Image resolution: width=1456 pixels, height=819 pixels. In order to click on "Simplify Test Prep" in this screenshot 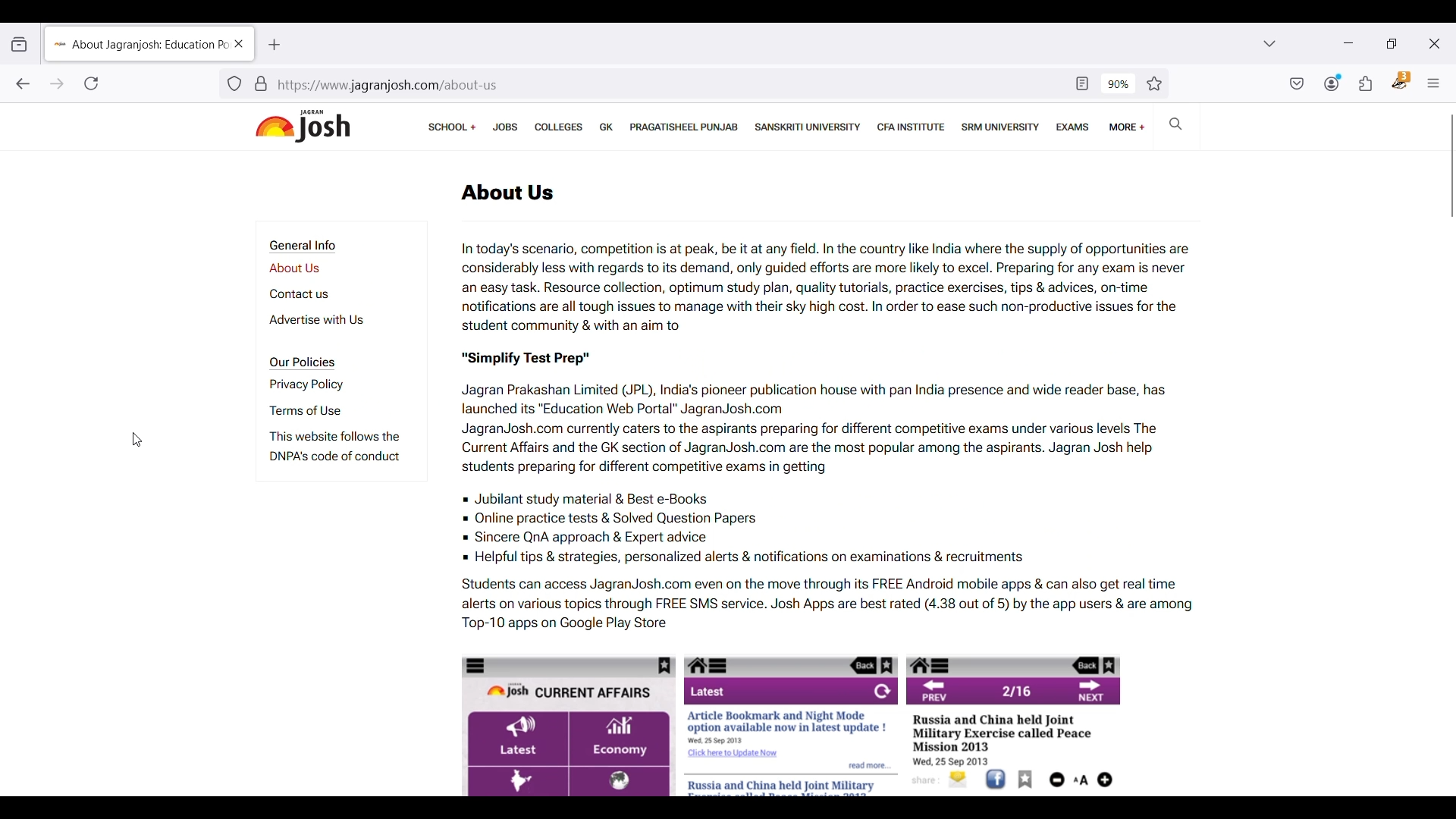, I will do `click(539, 354)`.